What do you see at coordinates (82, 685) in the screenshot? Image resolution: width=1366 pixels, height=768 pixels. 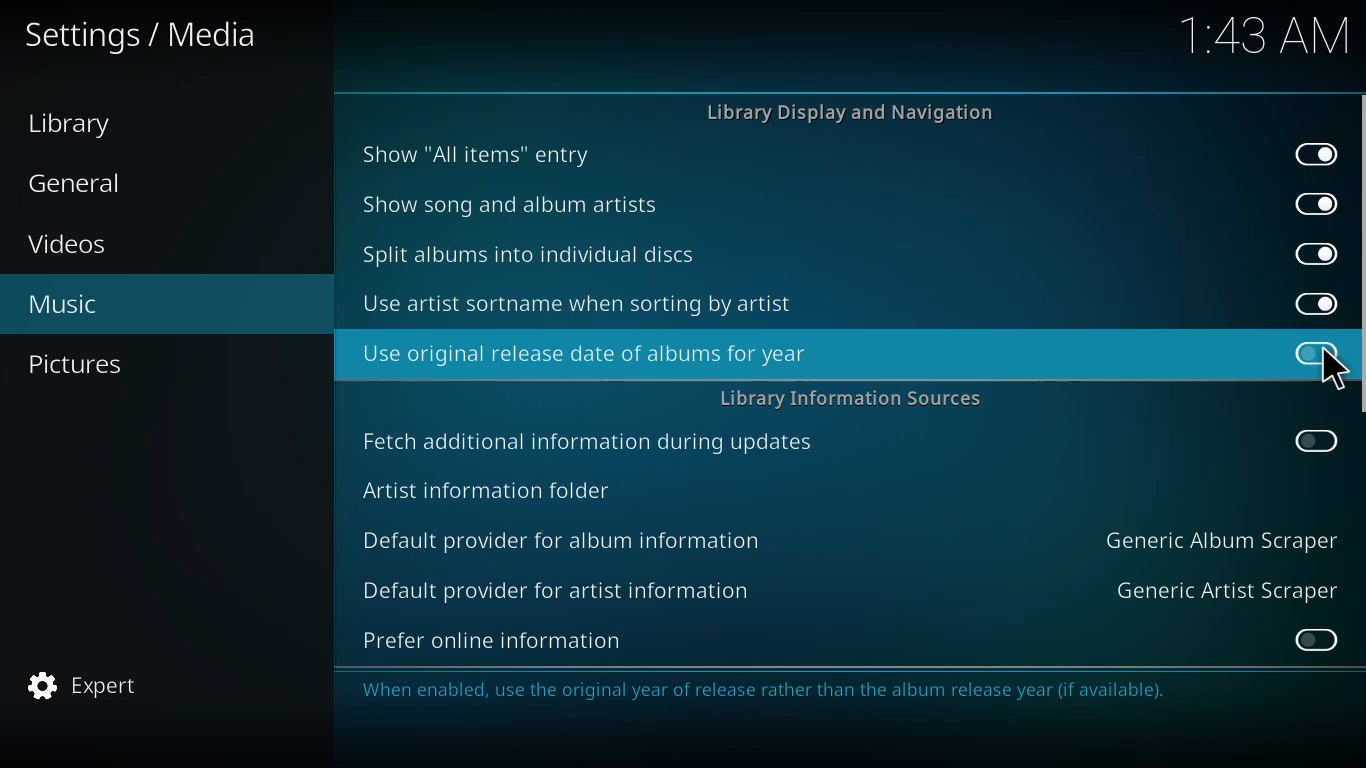 I see `expert` at bounding box center [82, 685].